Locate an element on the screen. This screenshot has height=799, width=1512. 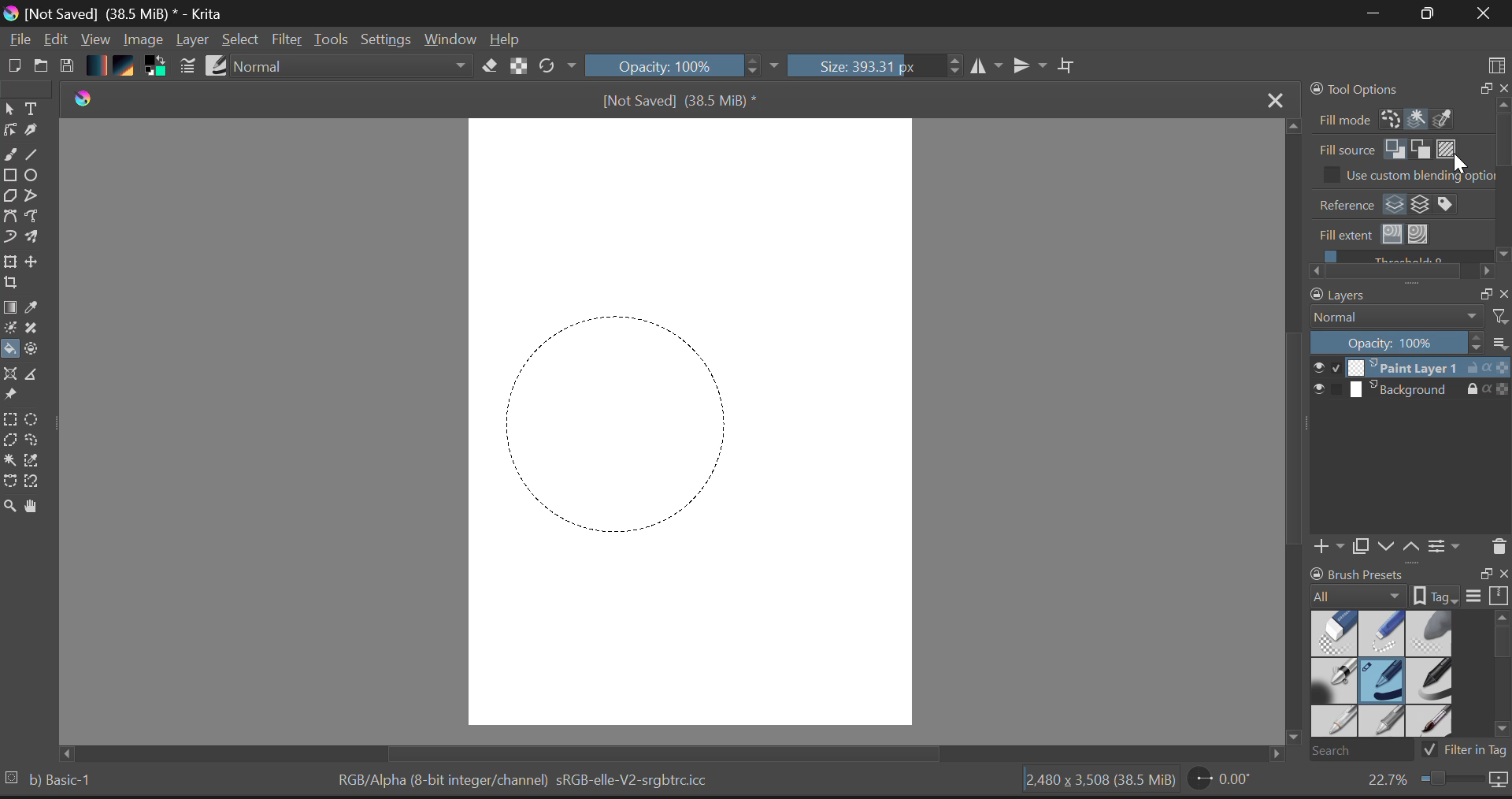
Dynamic Brush Tool is located at coordinates (9, 237).